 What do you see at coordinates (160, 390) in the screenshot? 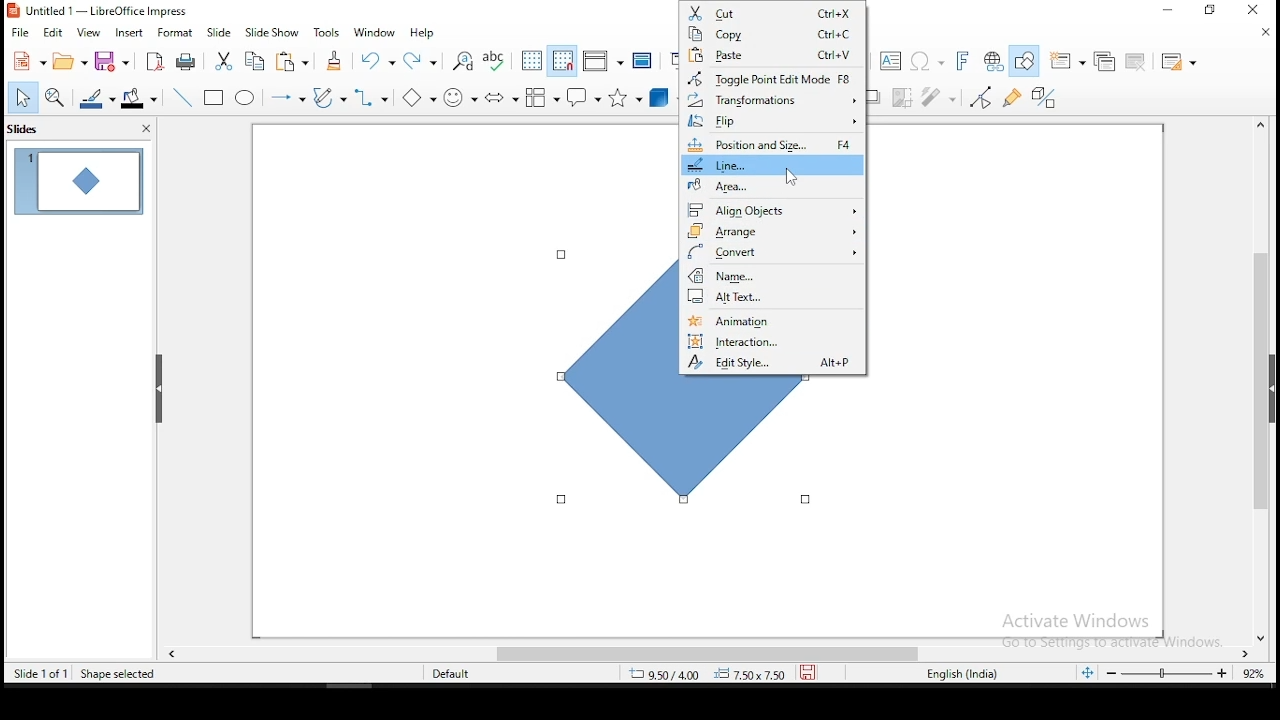
I see `Minimize sidebar` at bounding box center [160, 390].